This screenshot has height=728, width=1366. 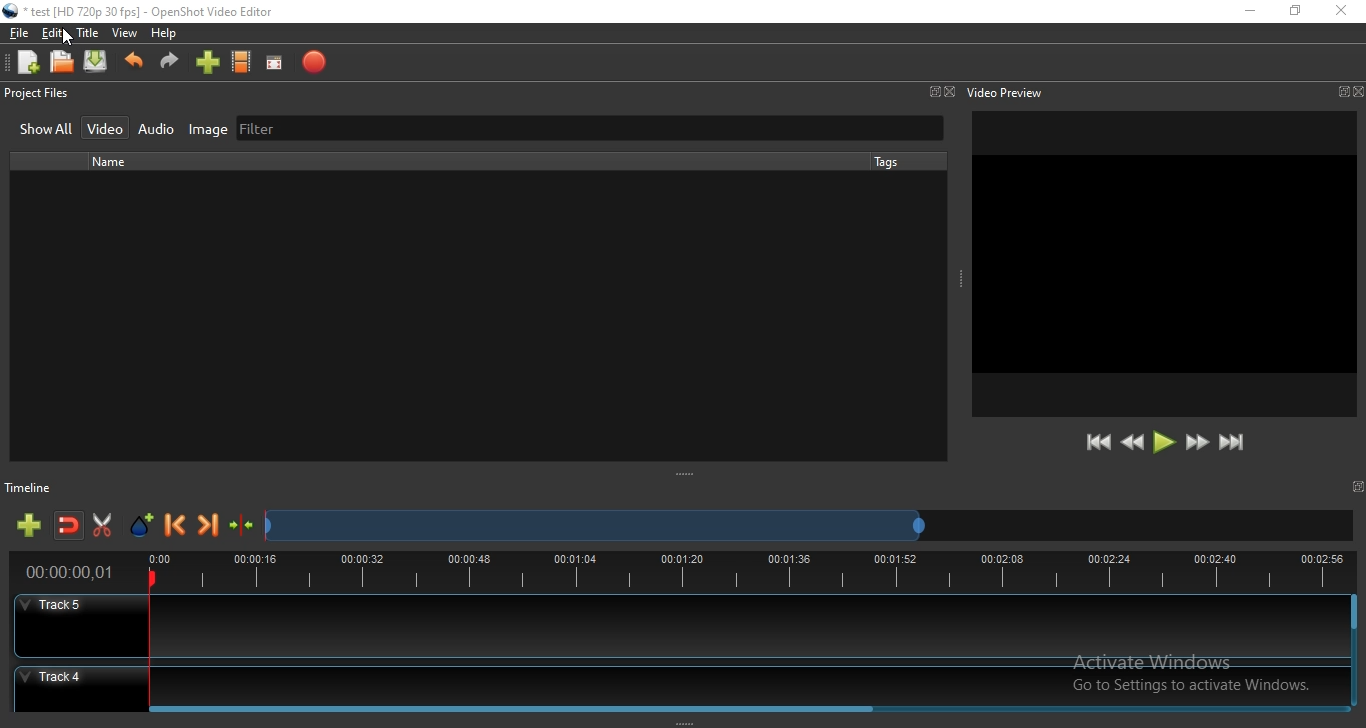 What do you see at coordinates (46, 131) in the screenshot?
I see `Show all` at bounding box center [46, 131].